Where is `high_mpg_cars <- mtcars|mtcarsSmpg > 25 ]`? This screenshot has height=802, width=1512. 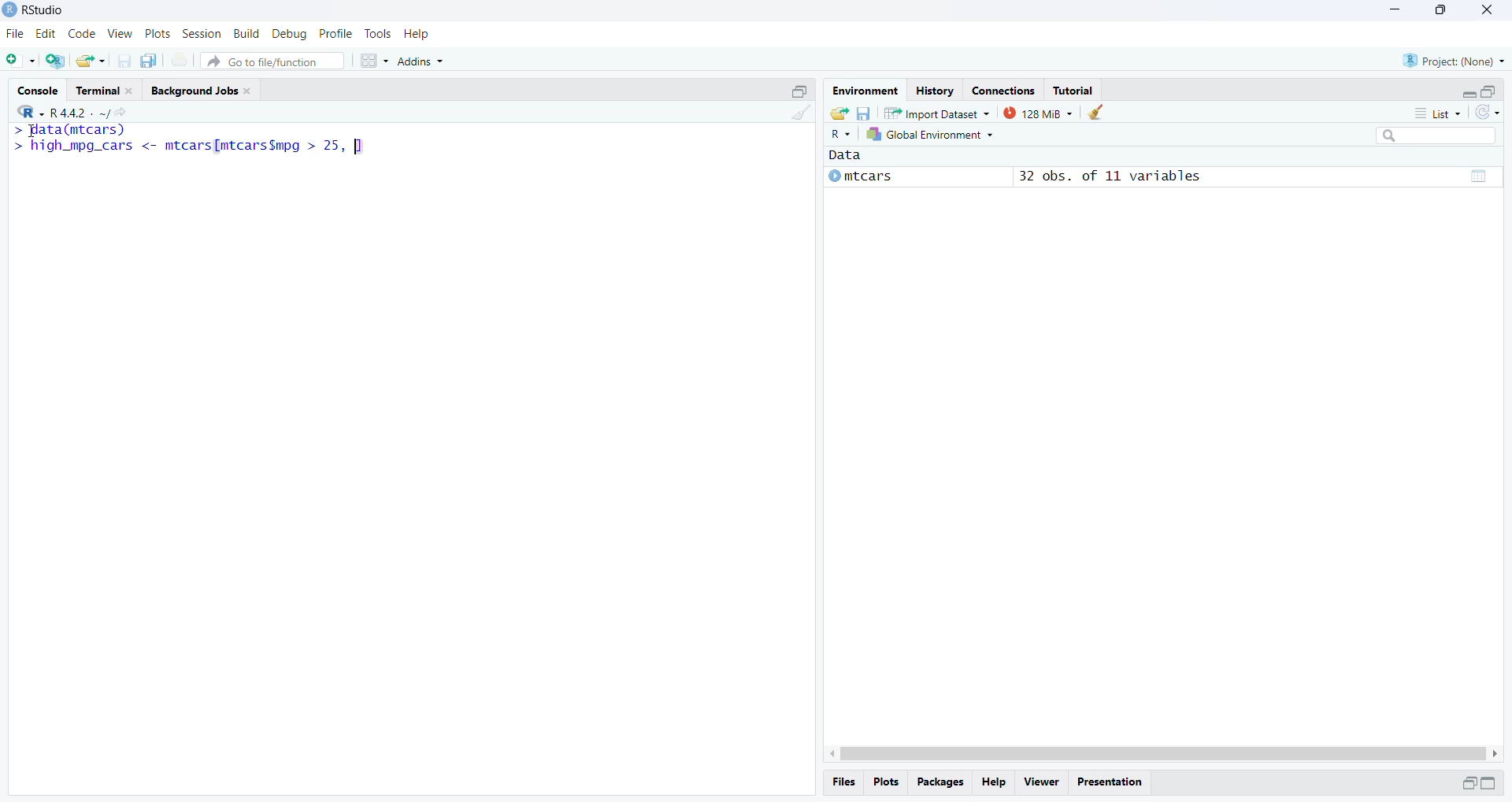
high_mpg_cars <- mtcars|mtcarsSmpg > 25 ] is located at coordinates (191, 147).